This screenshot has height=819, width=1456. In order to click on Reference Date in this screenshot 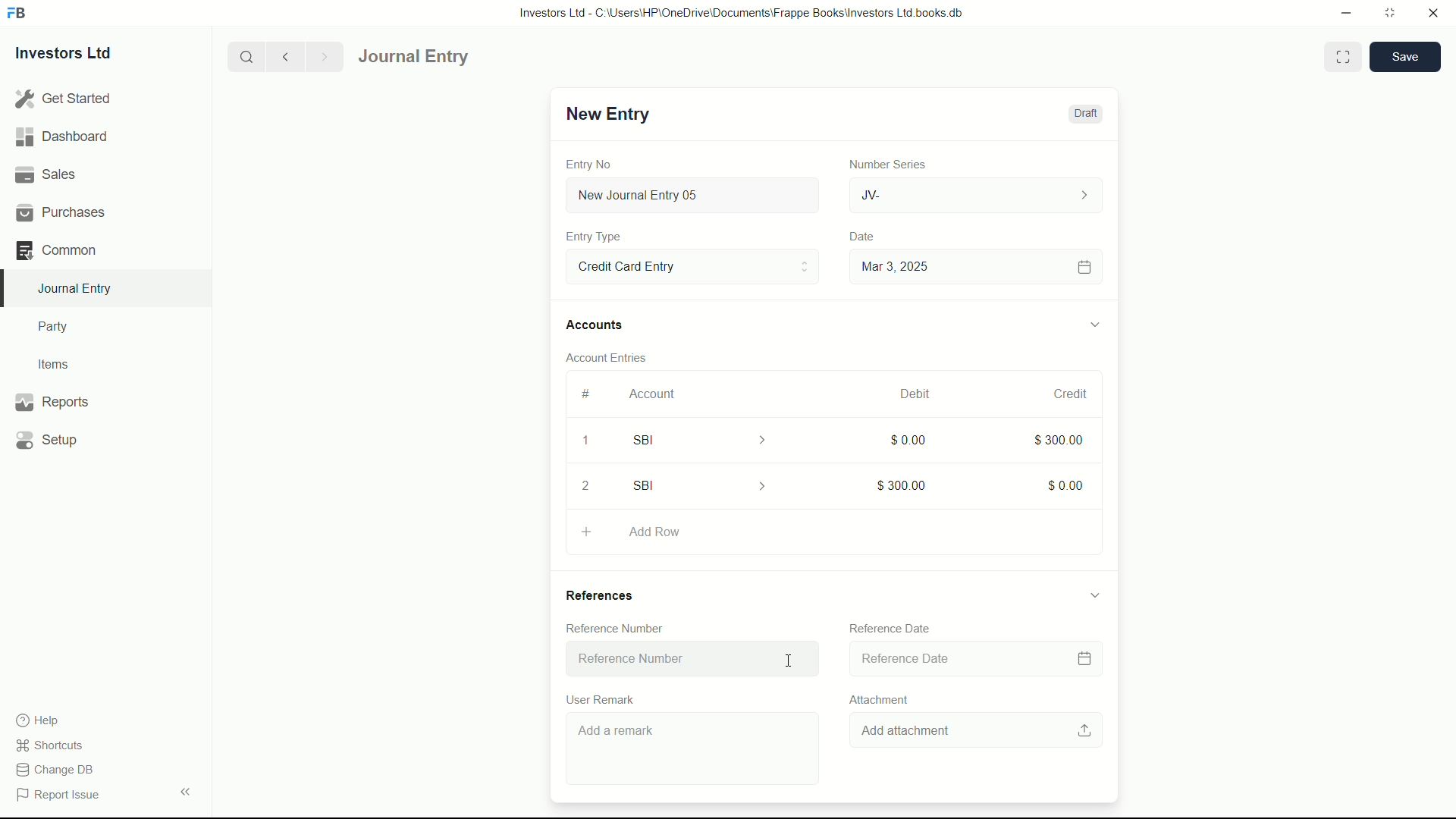, I will do `click(971, 660)`.